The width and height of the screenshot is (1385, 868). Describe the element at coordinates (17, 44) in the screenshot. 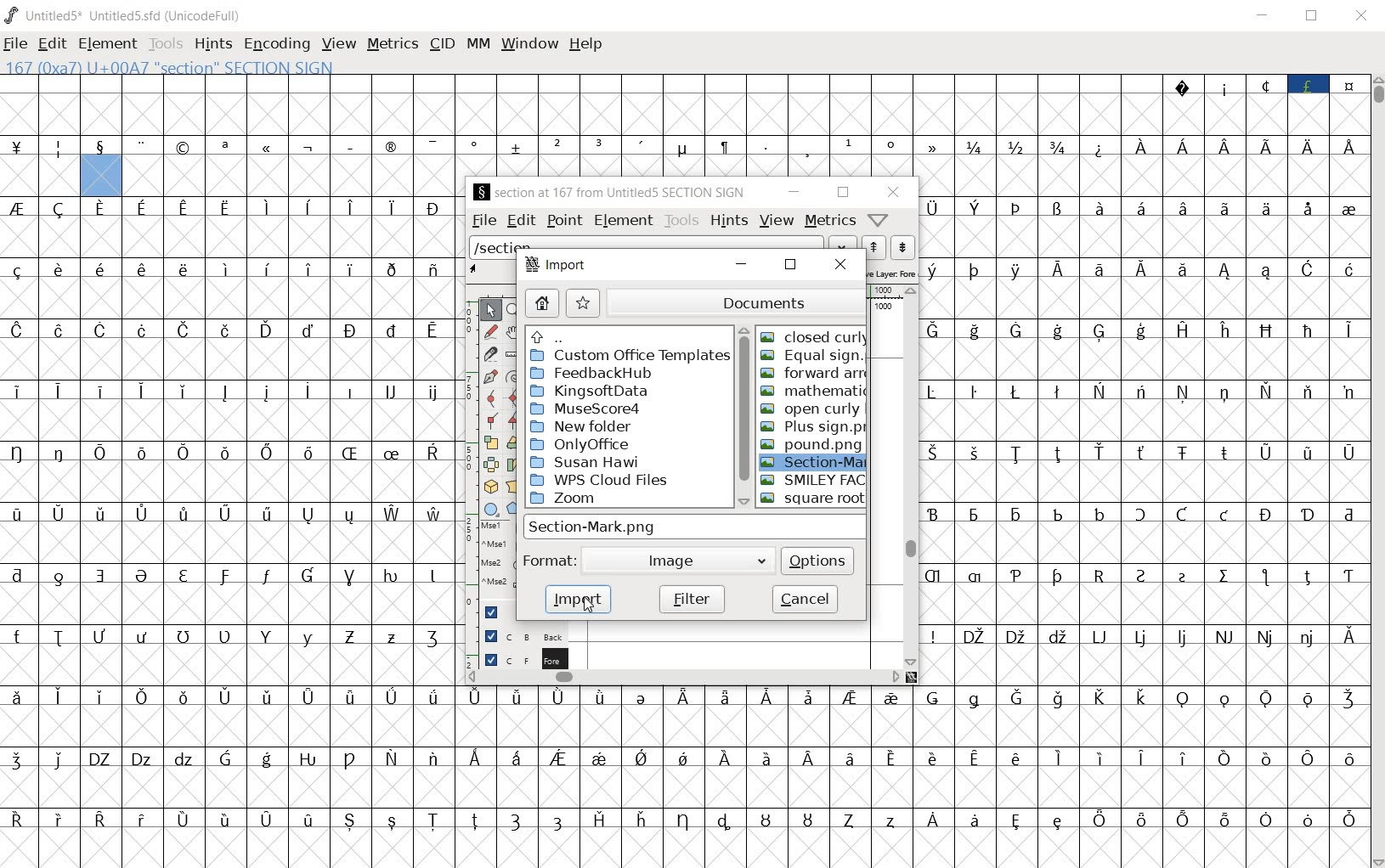

I see `FILE` at that location.